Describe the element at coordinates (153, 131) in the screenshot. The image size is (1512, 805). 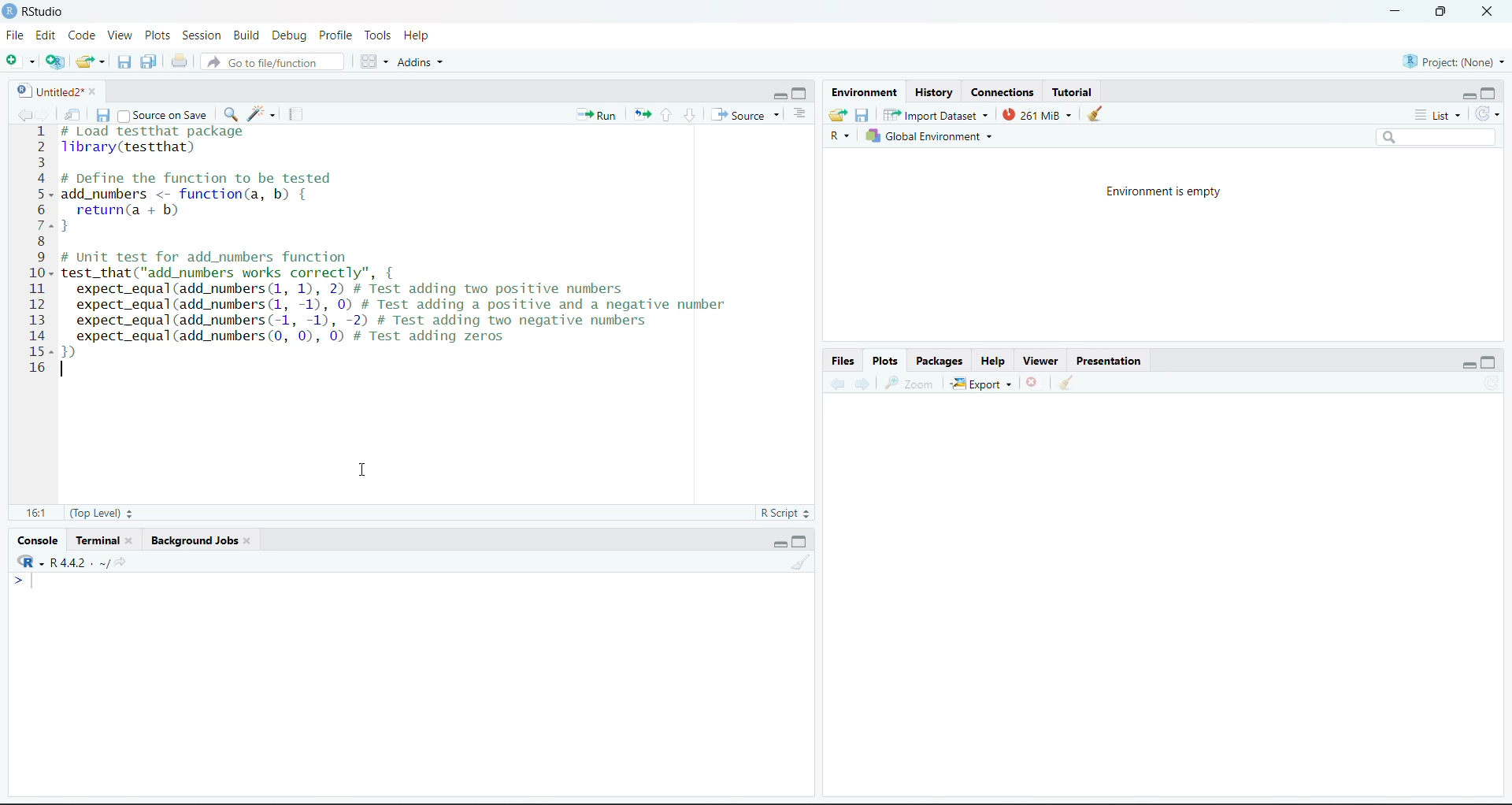
I see `# Load test that package` at that location.